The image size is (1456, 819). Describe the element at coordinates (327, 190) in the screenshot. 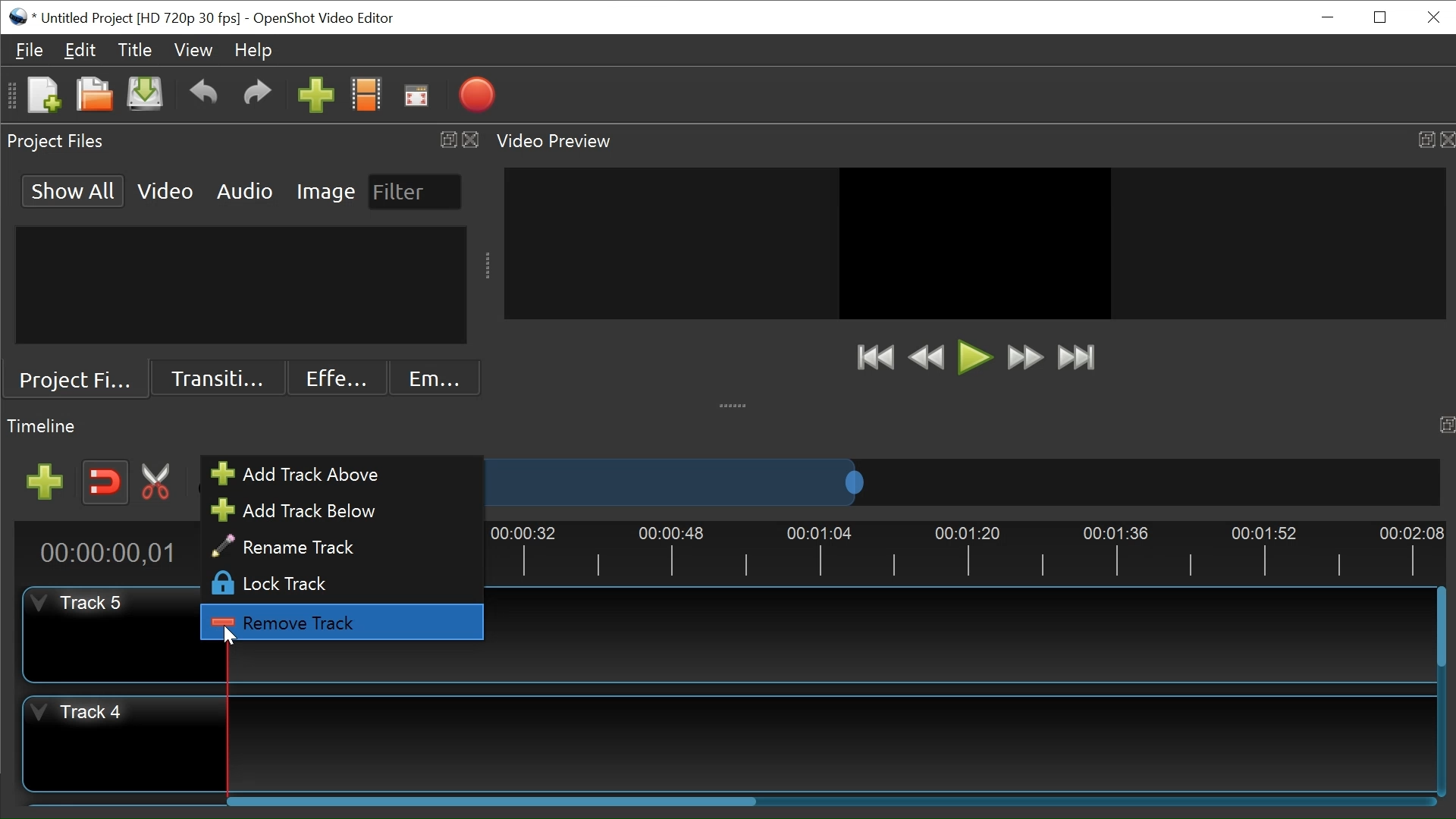

I see `Image` at that location.